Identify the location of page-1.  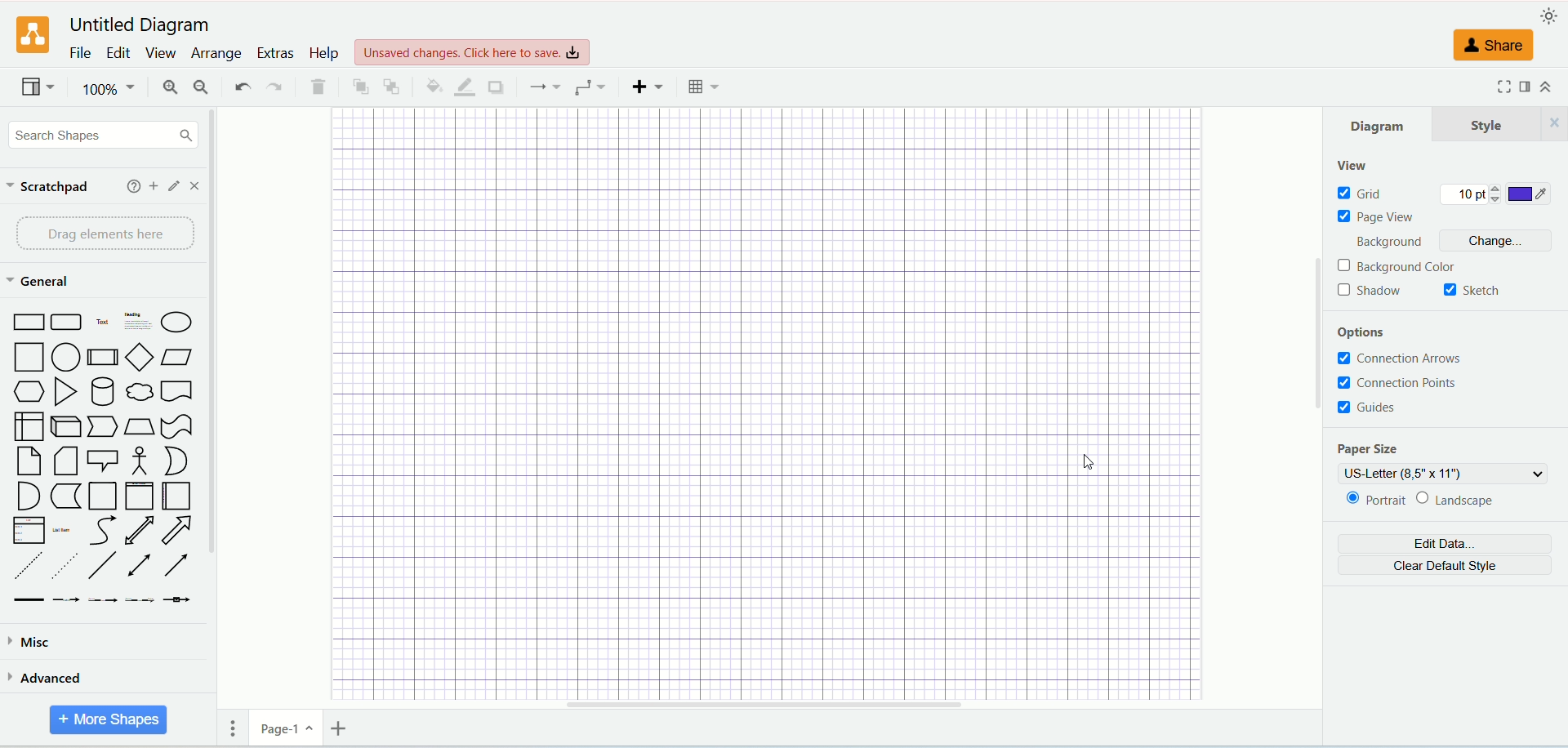
(287, 728).